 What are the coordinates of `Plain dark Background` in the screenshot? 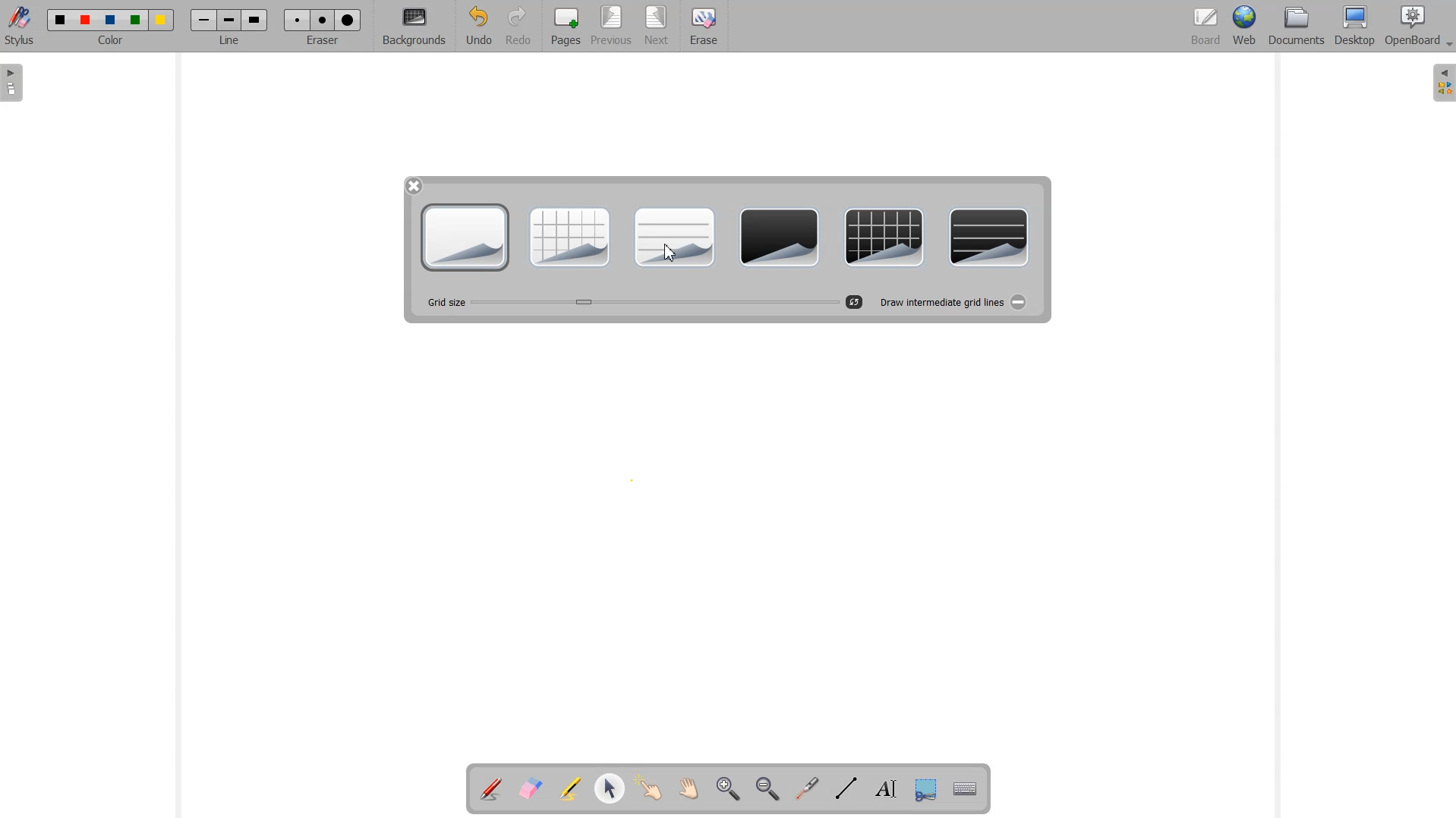 It's located at (780, 238).